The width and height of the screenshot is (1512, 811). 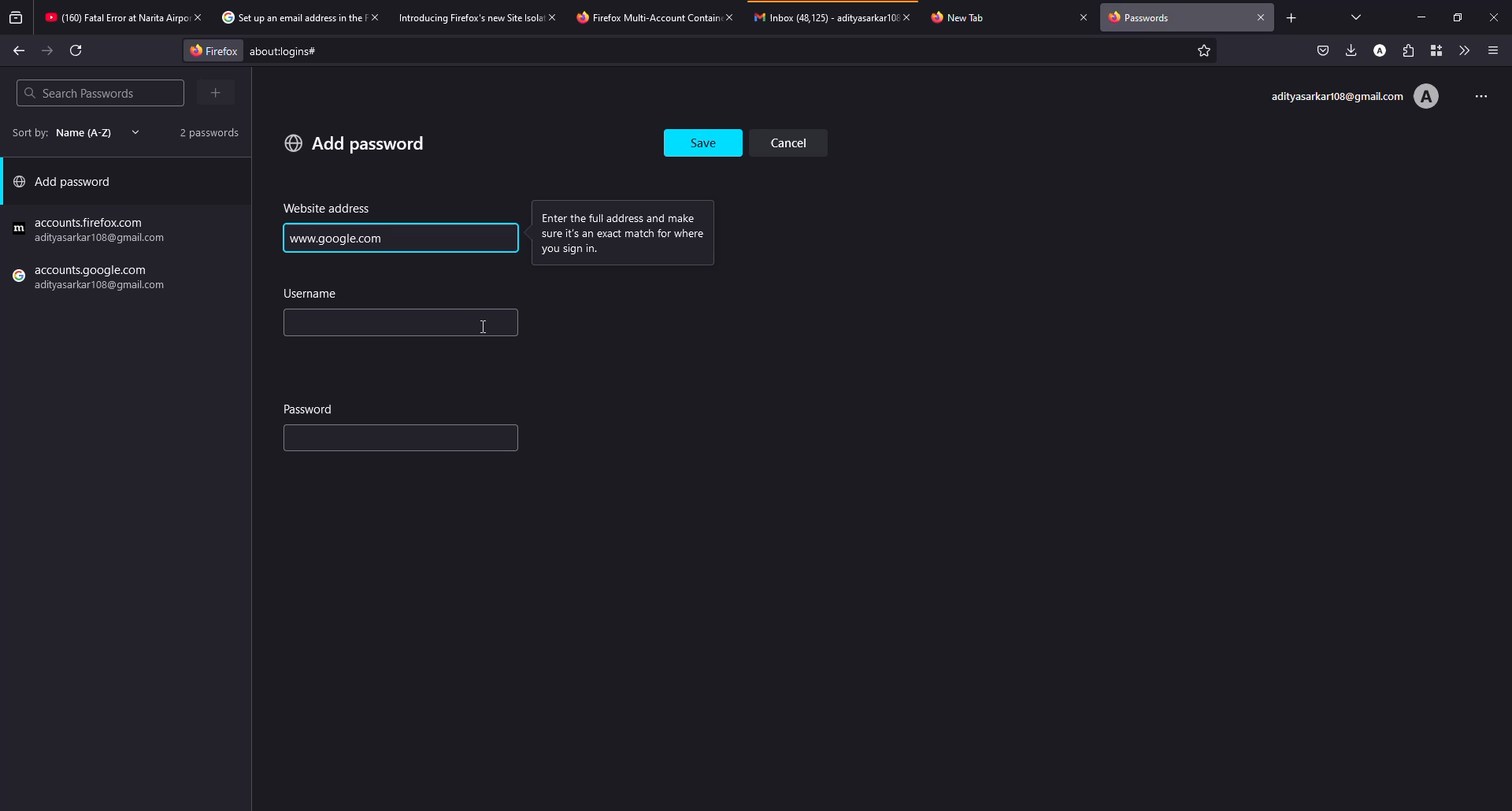 I want to click on type, so click(x=367, y=441).